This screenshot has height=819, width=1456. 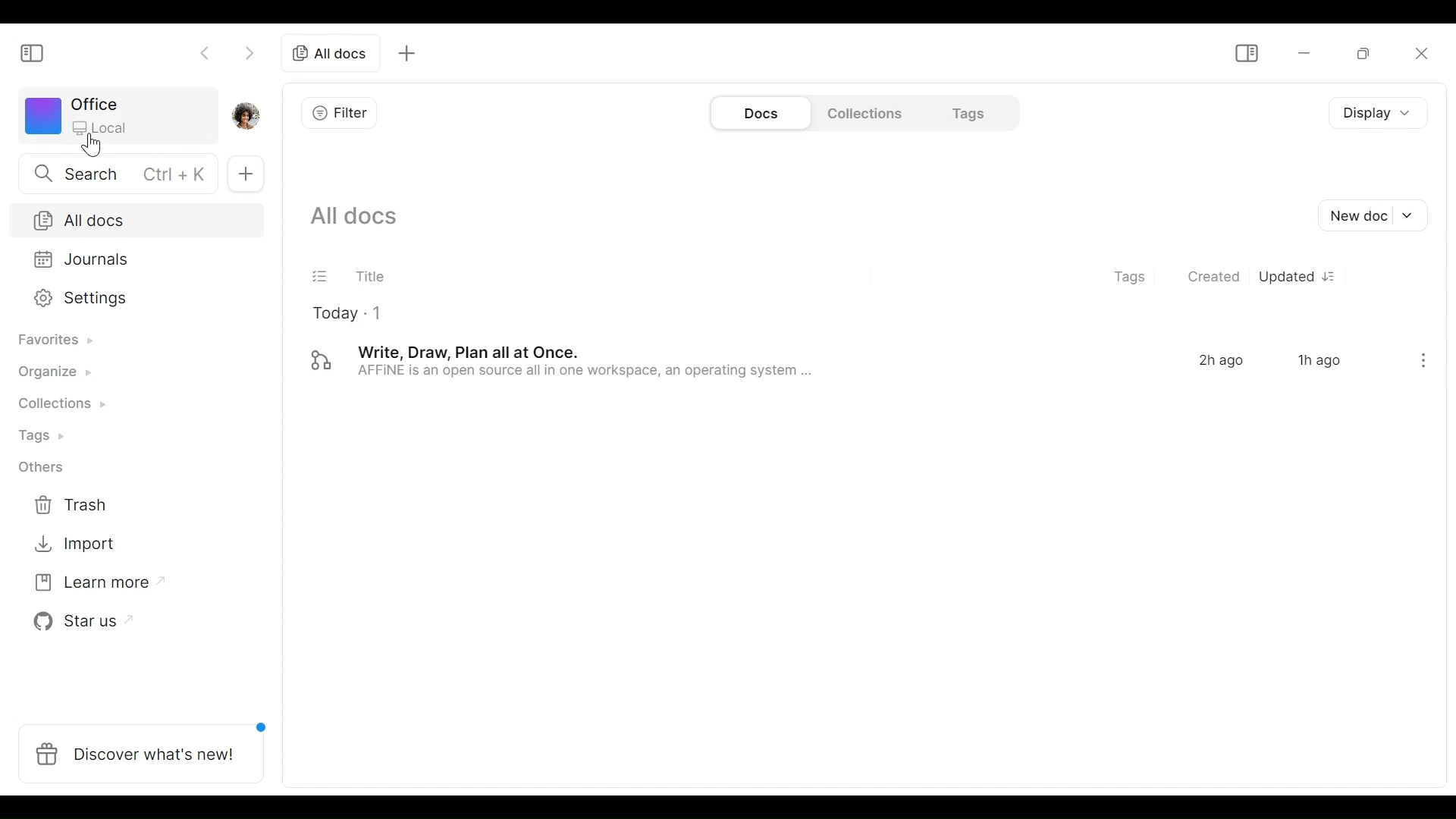 I want to click on Trash, so click(x=67, y=507).